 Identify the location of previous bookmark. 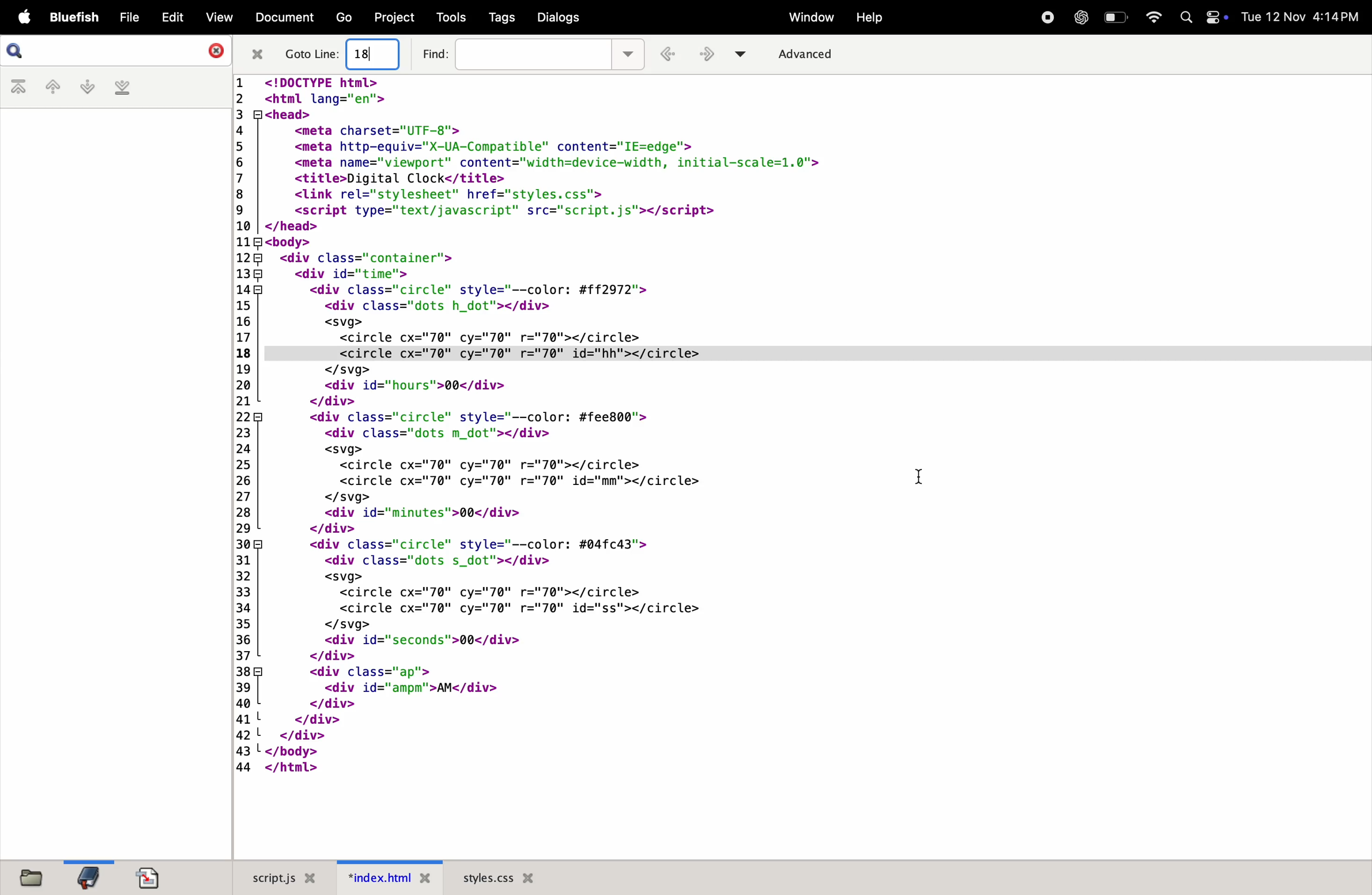
(50, 88).